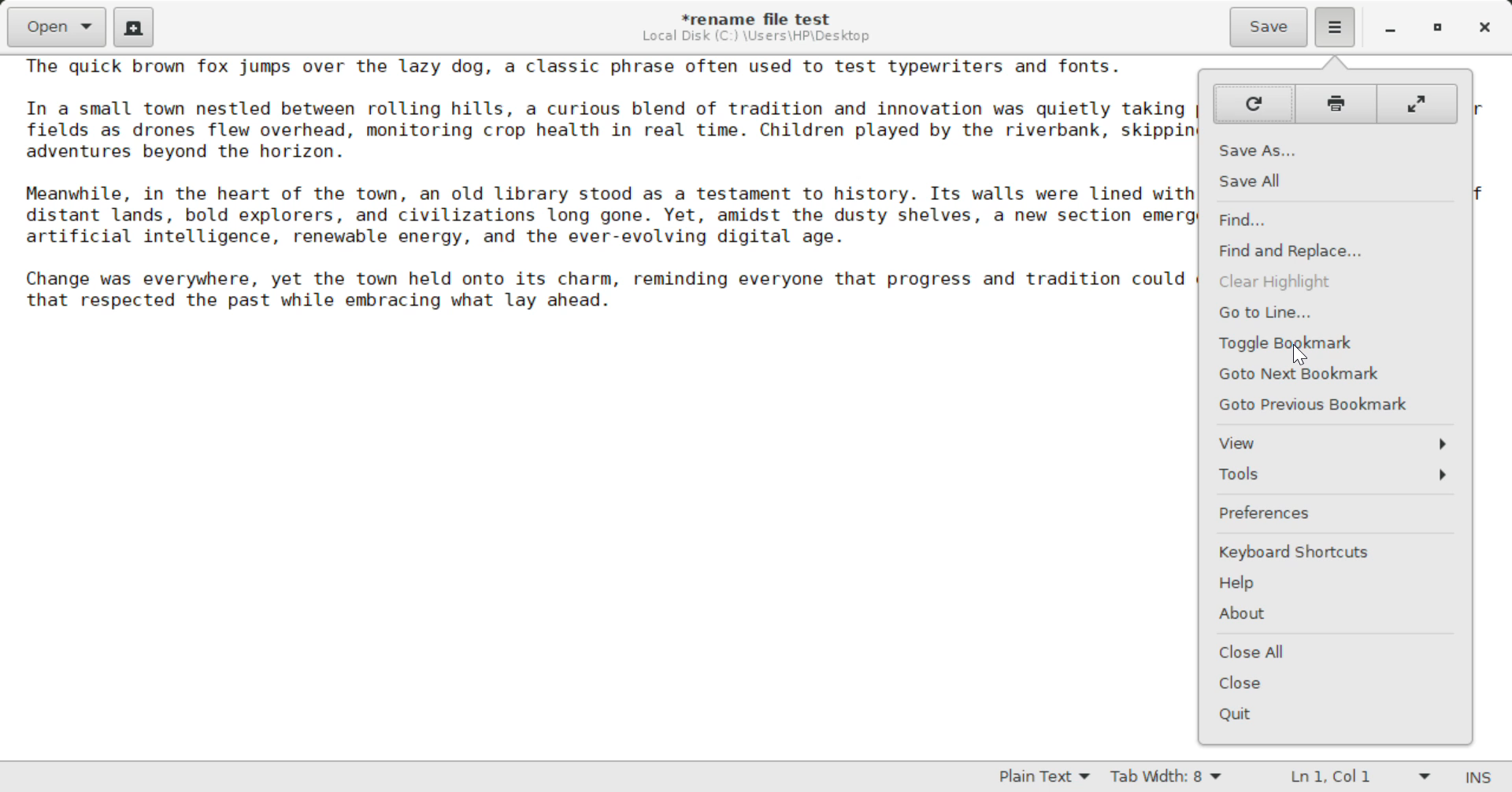 The image size is (1512, 792). What do you see at coordinates (57, 27) in the screenshot?
I see `Open Document` at bounding box center [57, 27].